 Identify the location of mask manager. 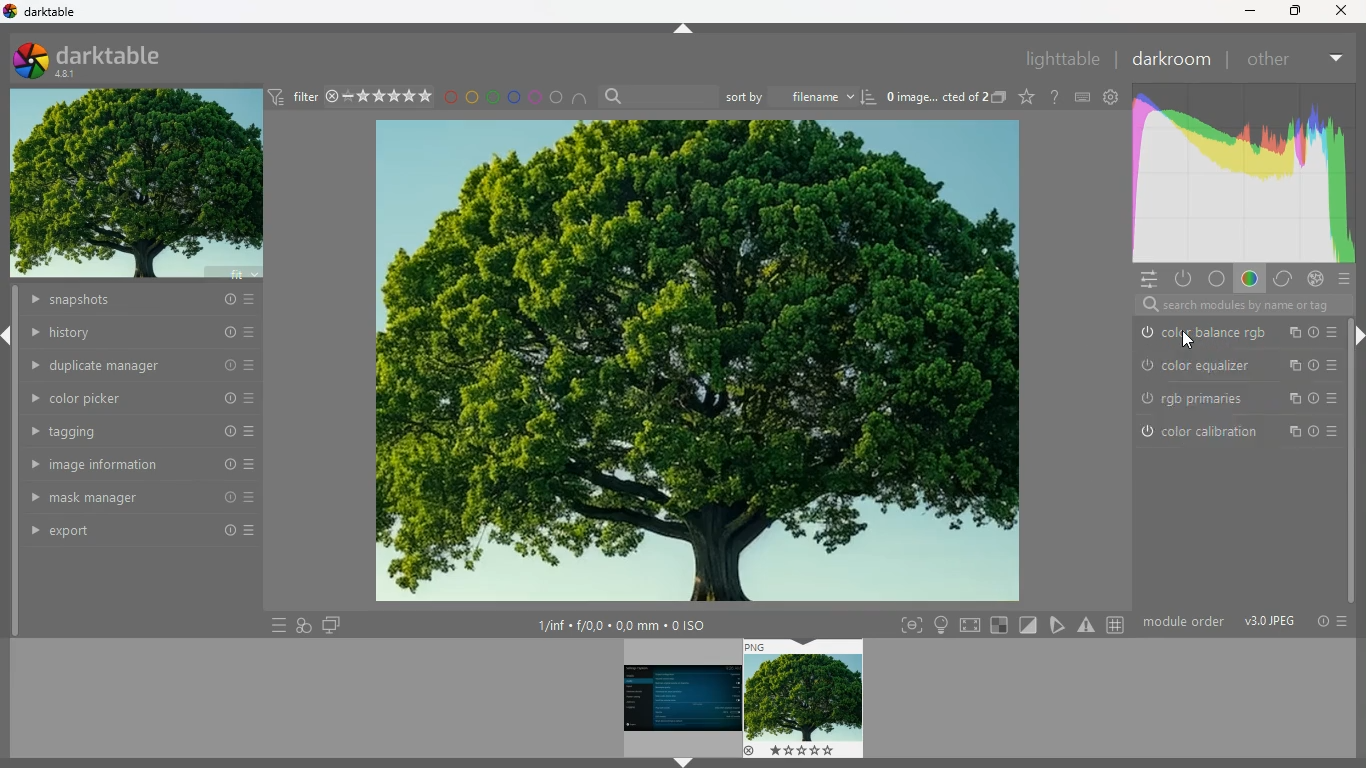
(141, 496).